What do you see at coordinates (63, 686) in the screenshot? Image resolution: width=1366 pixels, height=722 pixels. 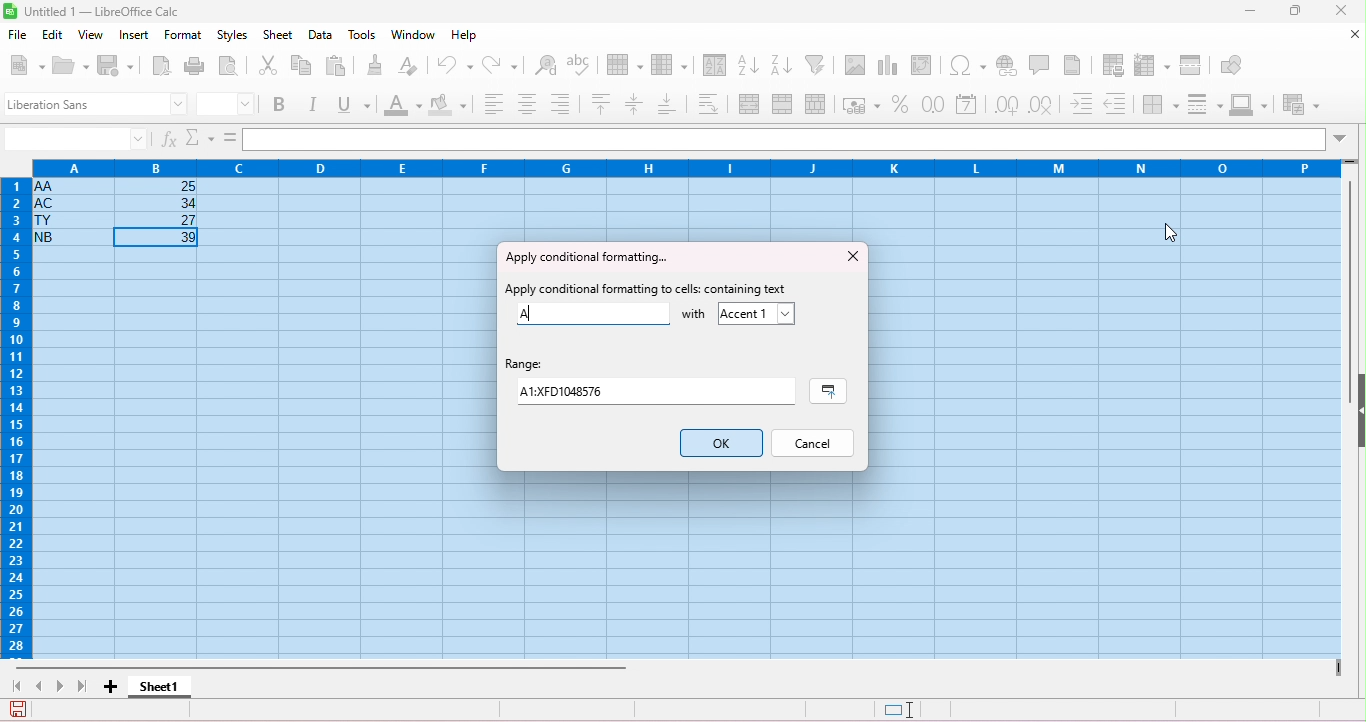 I see `next sheet` at bounding box center [63, 686].